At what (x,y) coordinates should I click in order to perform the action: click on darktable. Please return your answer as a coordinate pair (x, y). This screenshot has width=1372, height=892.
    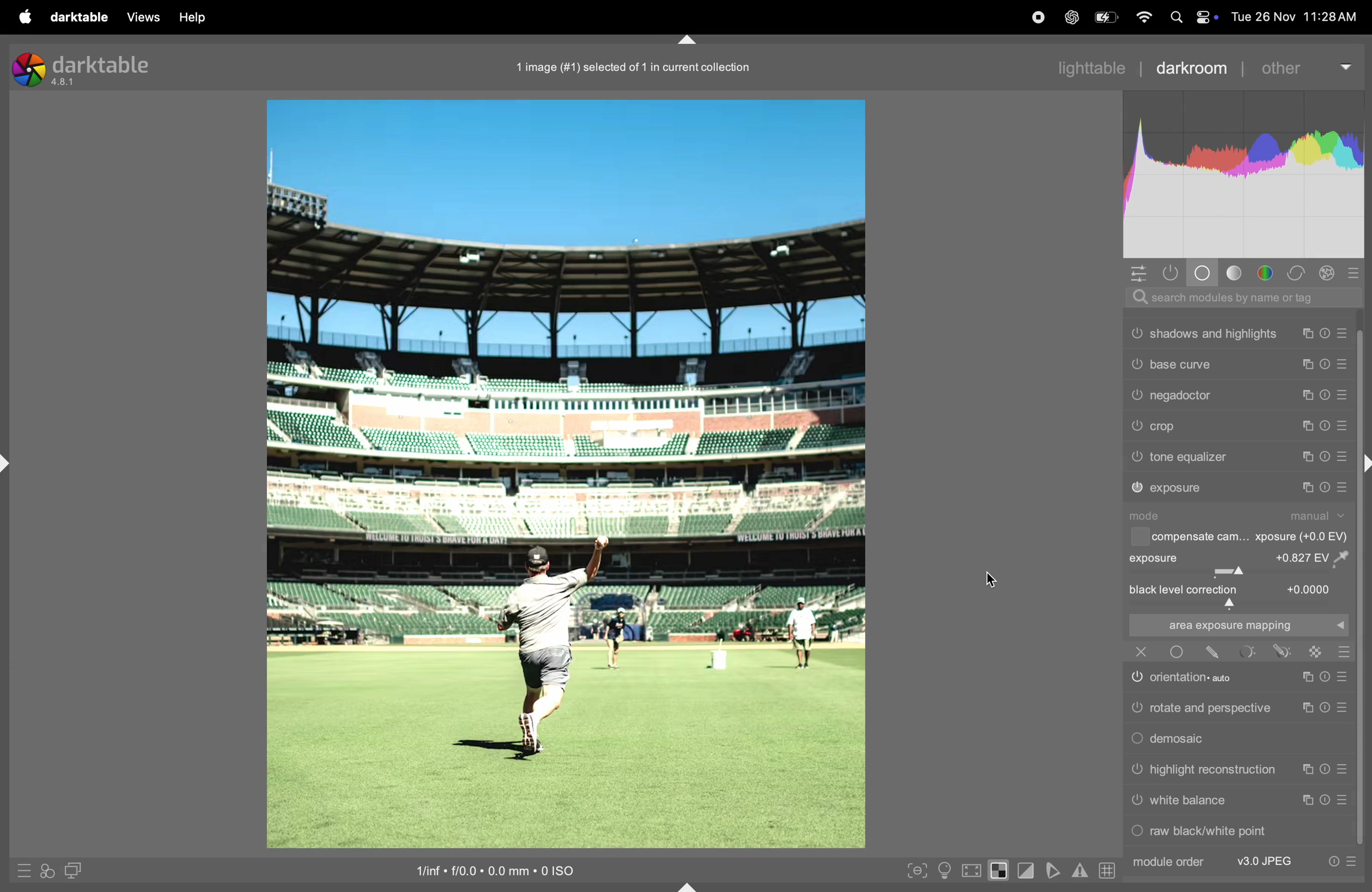
    Looking at the image, I should click on (103, 64).